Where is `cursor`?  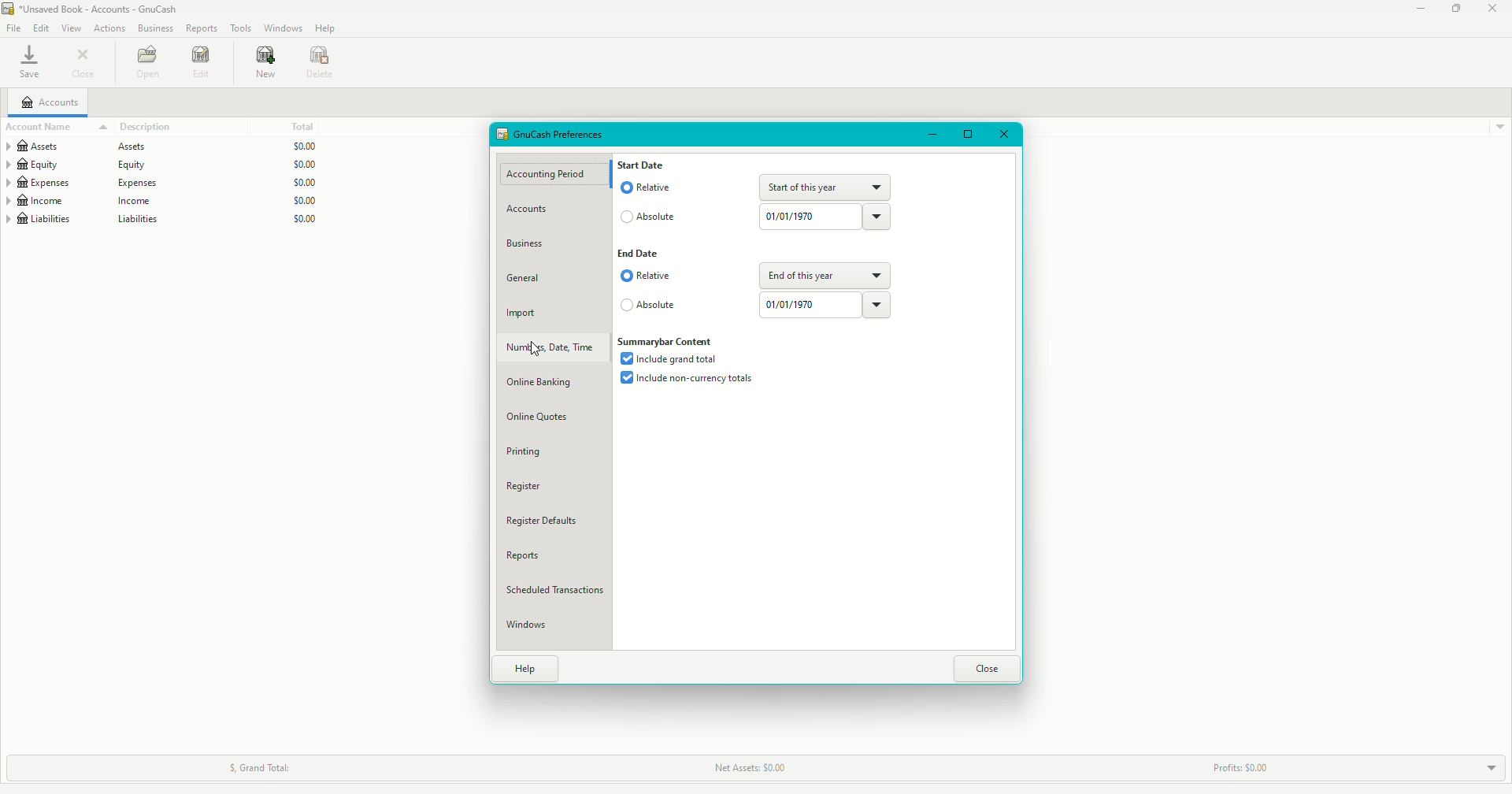
cursor is located at coordinates (534, 347).